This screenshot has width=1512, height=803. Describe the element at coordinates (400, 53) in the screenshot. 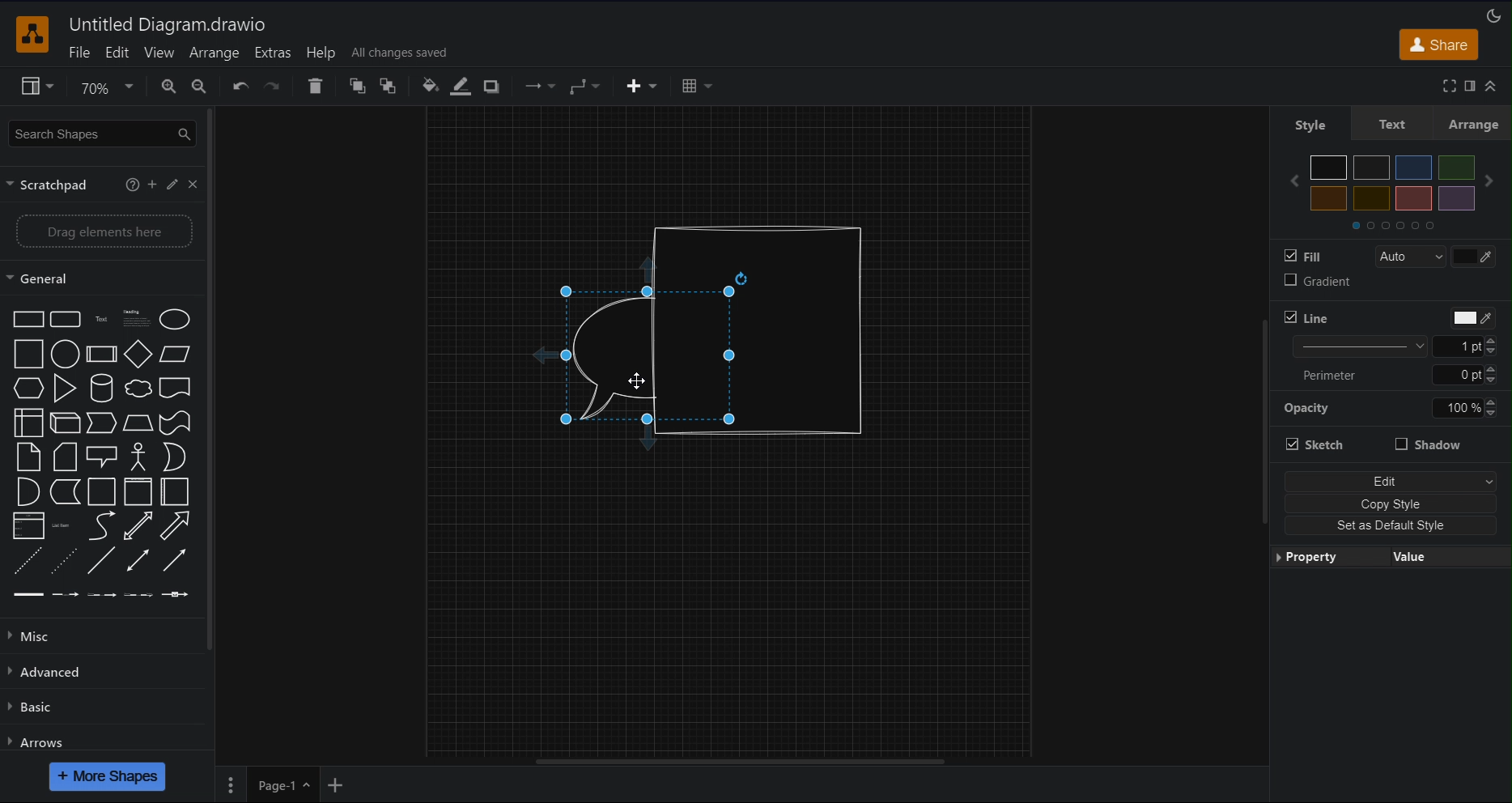

I see `All changes saved` at that location.